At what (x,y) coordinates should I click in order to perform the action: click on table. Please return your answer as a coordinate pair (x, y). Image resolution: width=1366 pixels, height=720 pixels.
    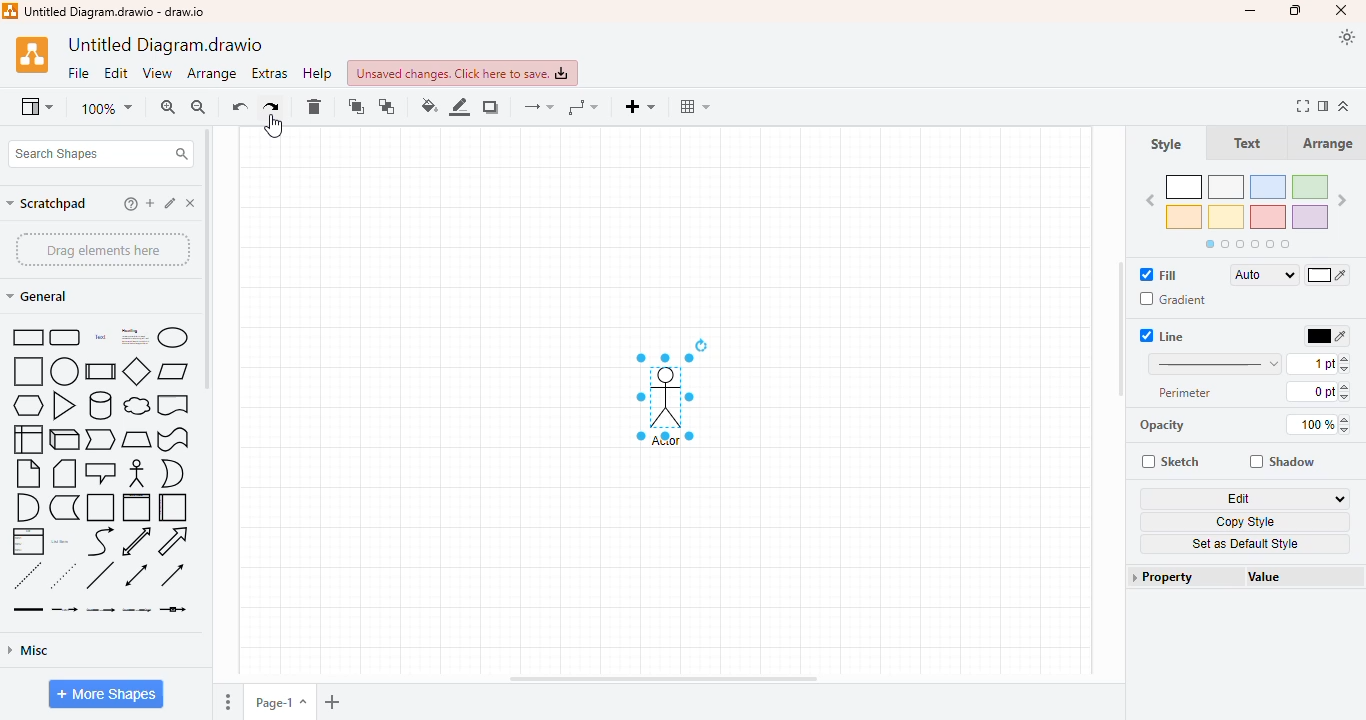
    Looking at the image, I should click on (695, 106).